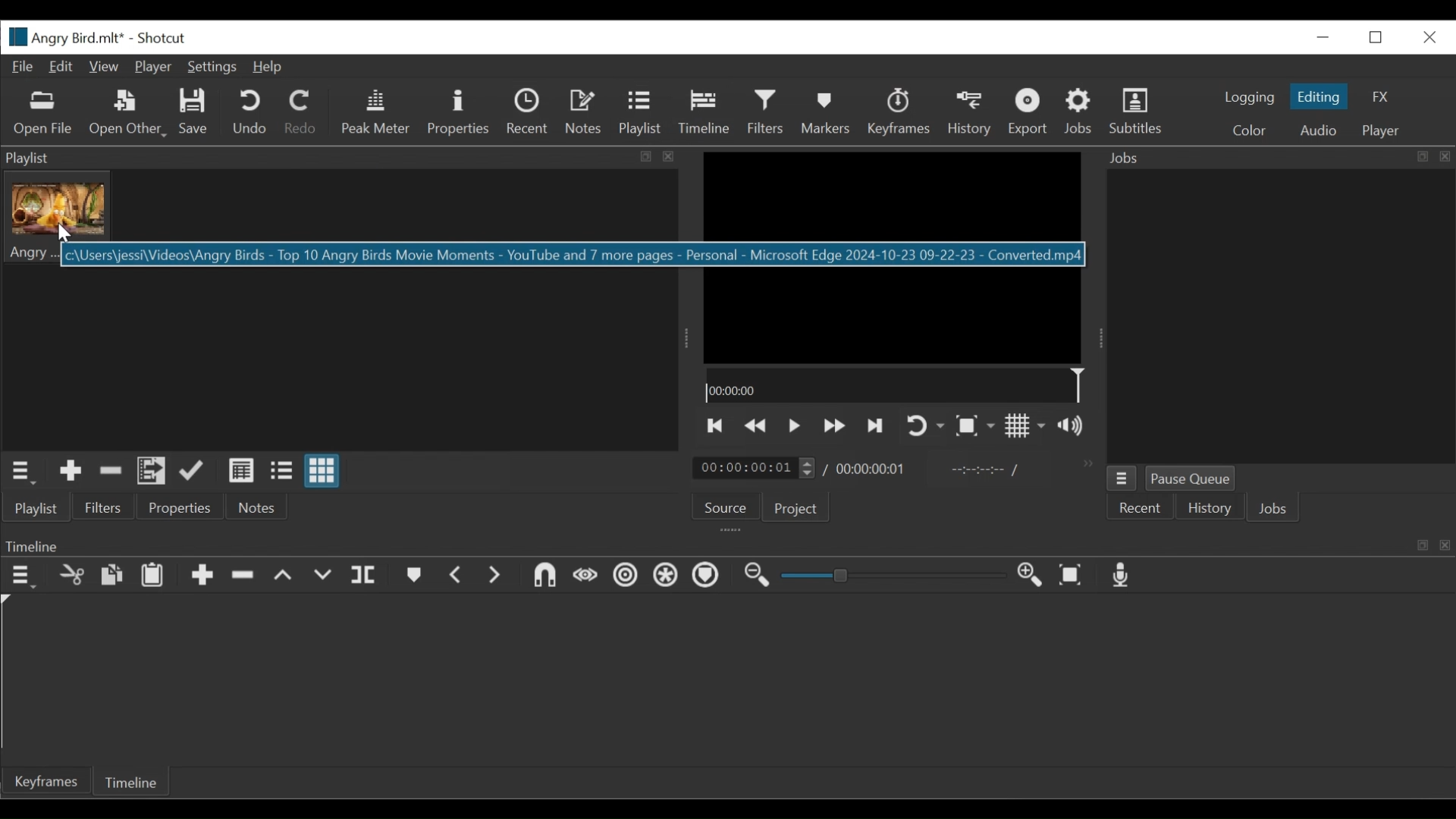 The image size is (1456, 819). What do you see at coordinates (129, 781) in the screenshot?
I see `Timeline` at bounding box center [129, 781].